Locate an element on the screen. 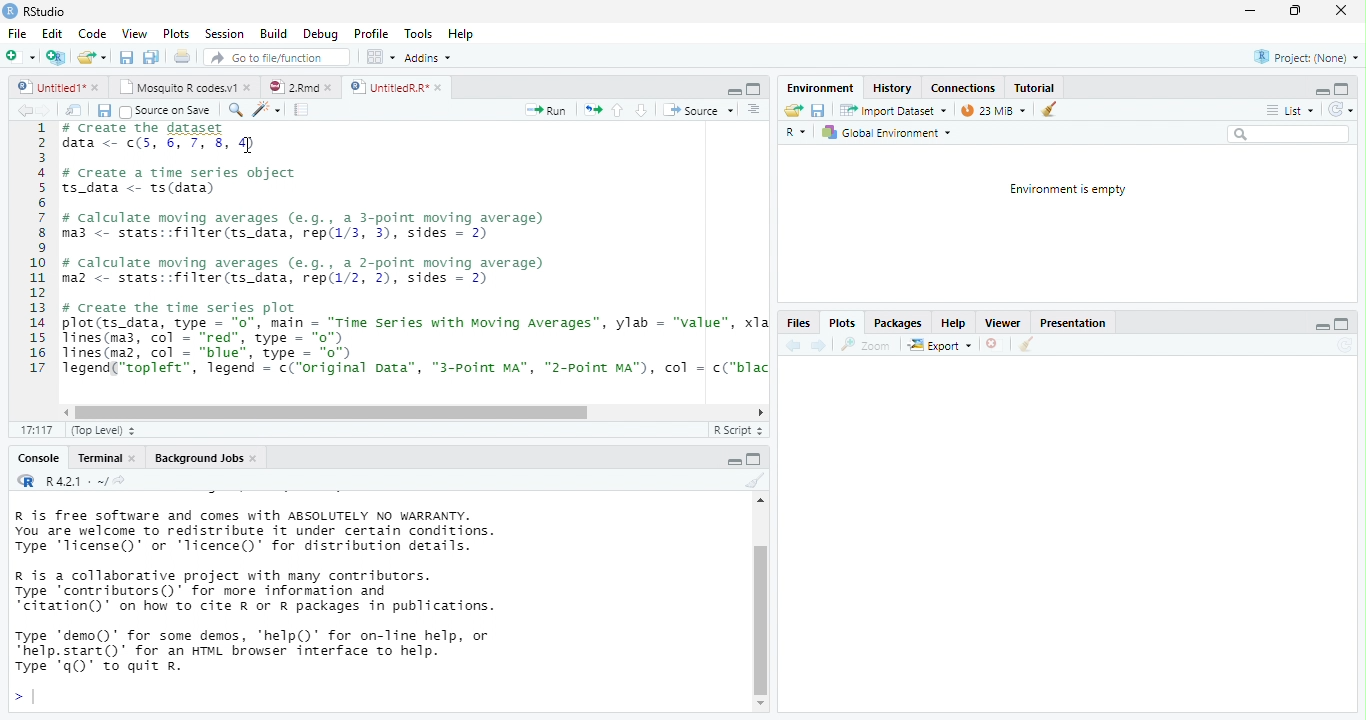 The width and height of the screenshot is (1366, 720). close is located at coordinates (332, 88).